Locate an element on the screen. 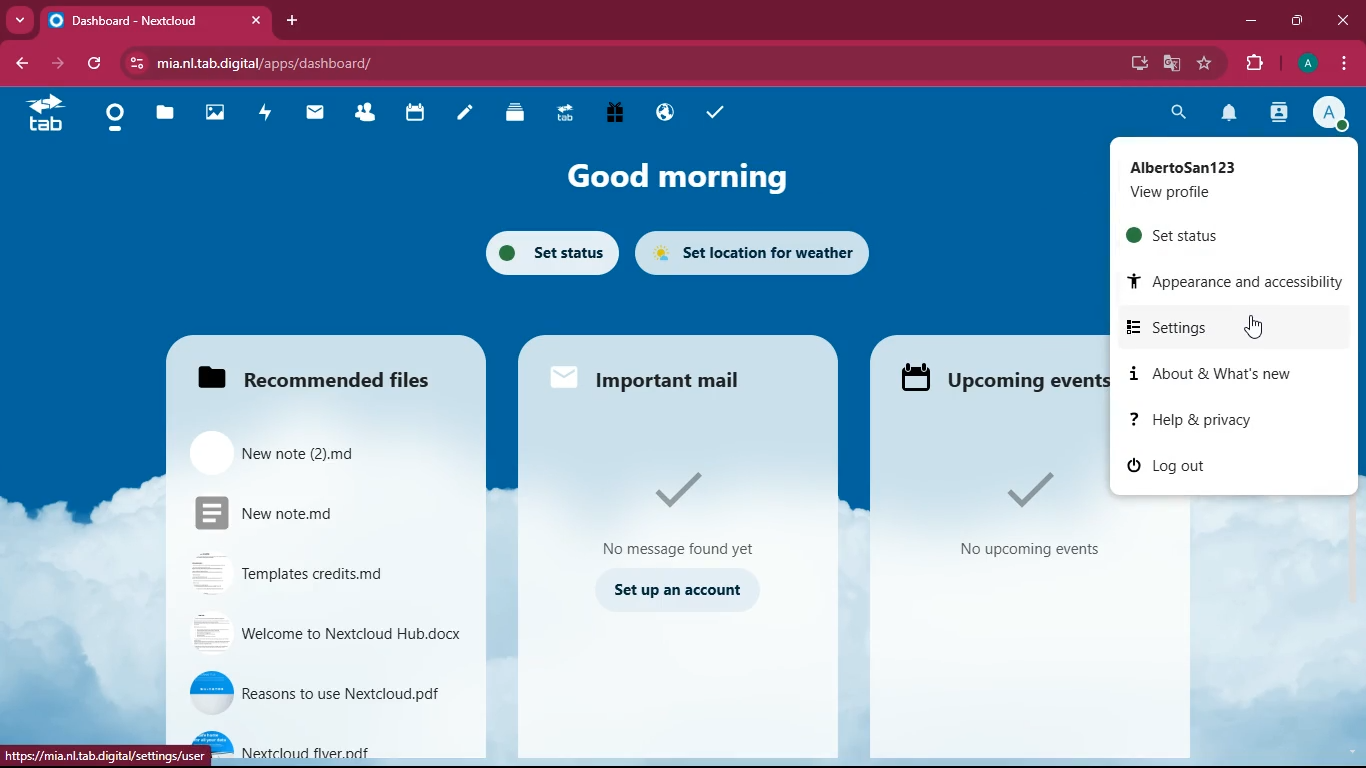 This screenshot has width=1366, height=768. profile is located at coordinates (1328, 112).